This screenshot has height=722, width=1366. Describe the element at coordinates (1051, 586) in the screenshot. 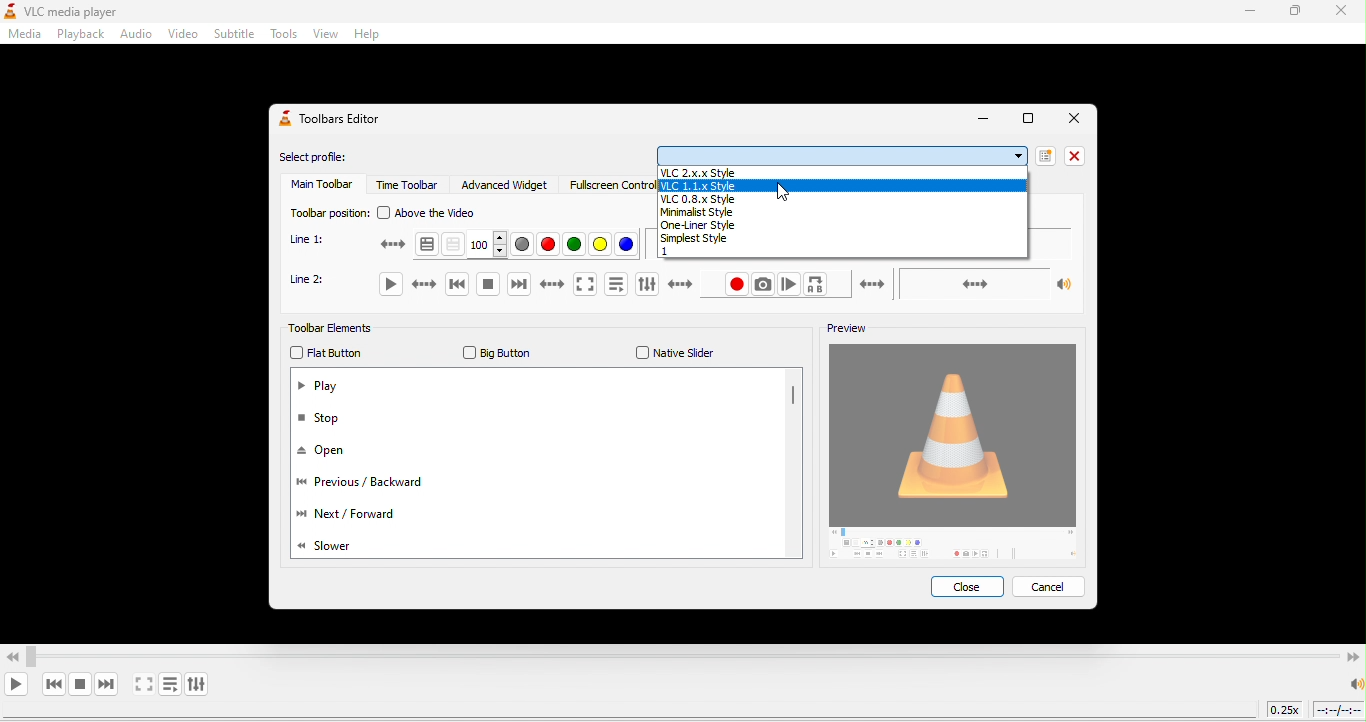

I see `cancel` at that location.